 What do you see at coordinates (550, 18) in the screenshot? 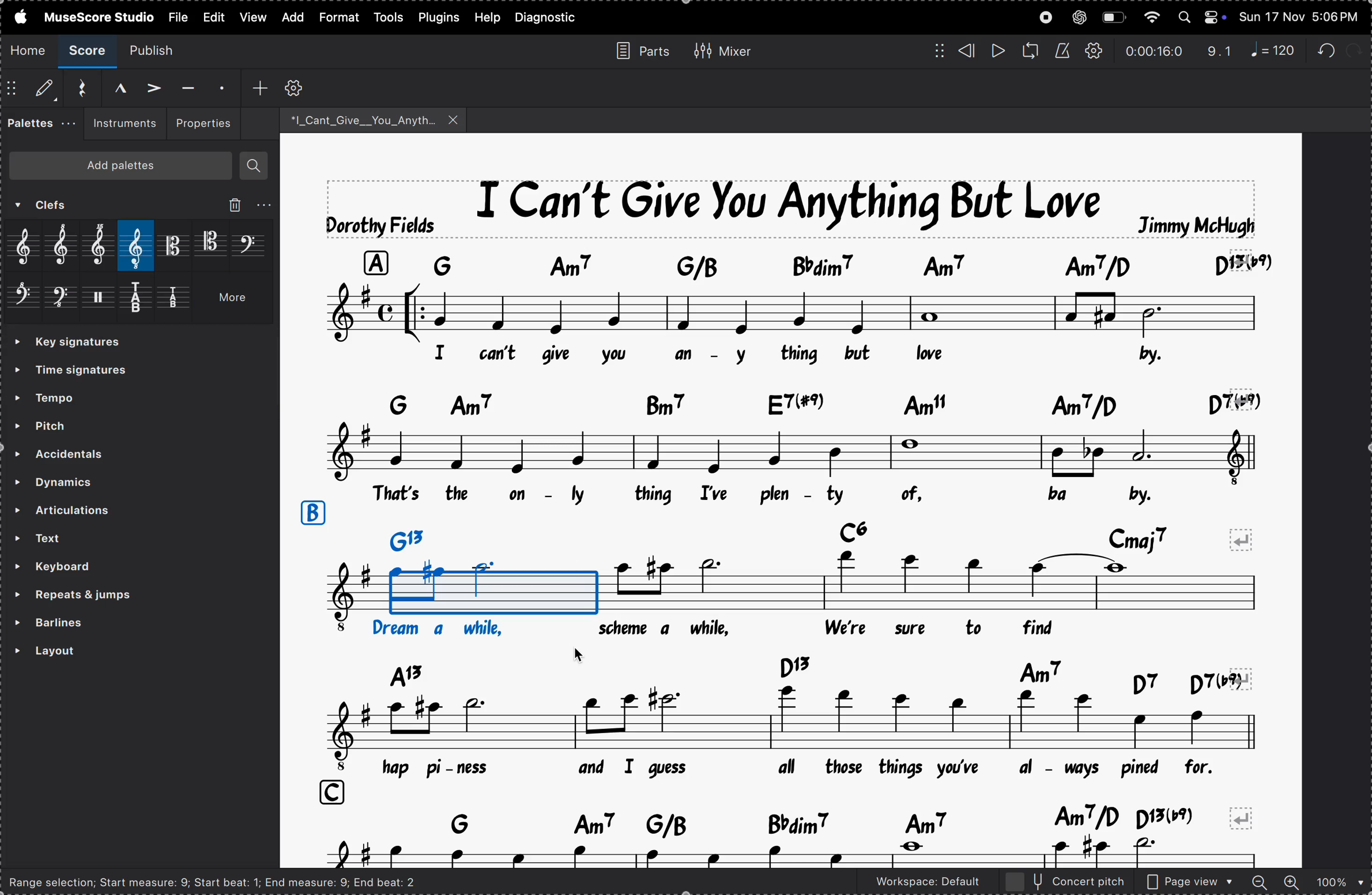
I see `daignostics` at bounding box center [550, 18].